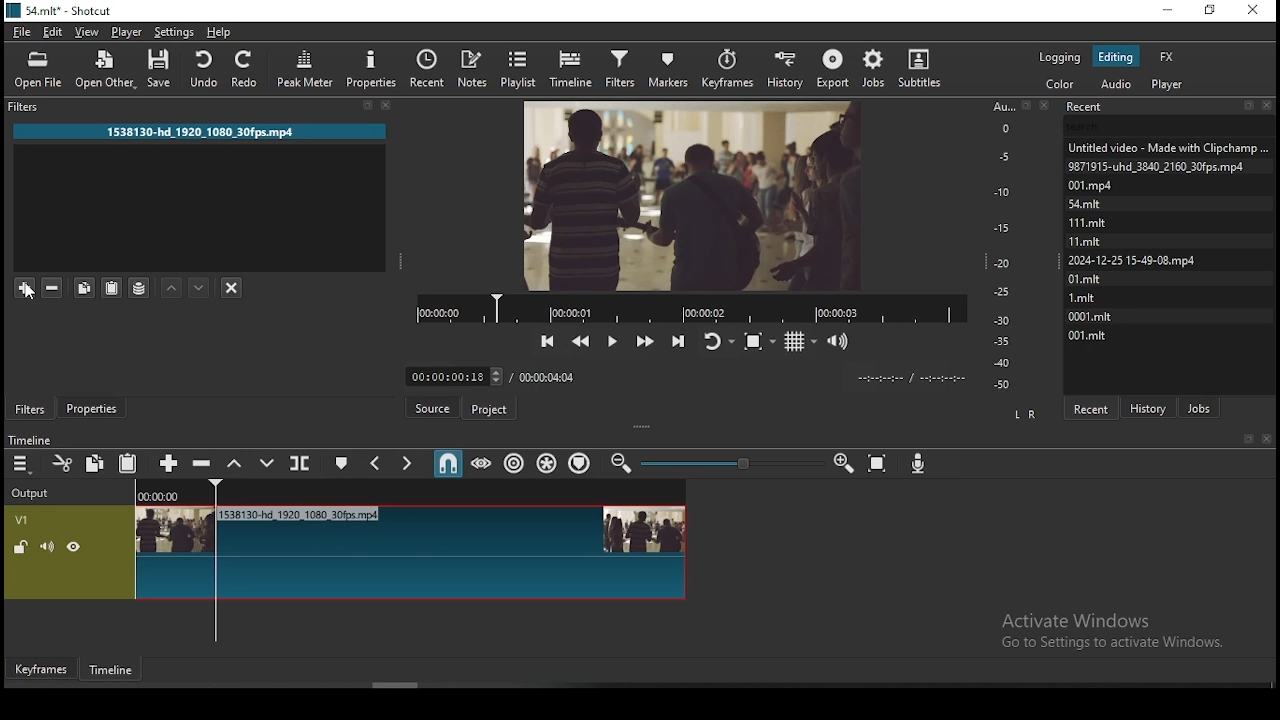  What do you see at coordinates (717, 339) in the screenshot?
I see `toggle player looping` at bounding box center [717, 339].